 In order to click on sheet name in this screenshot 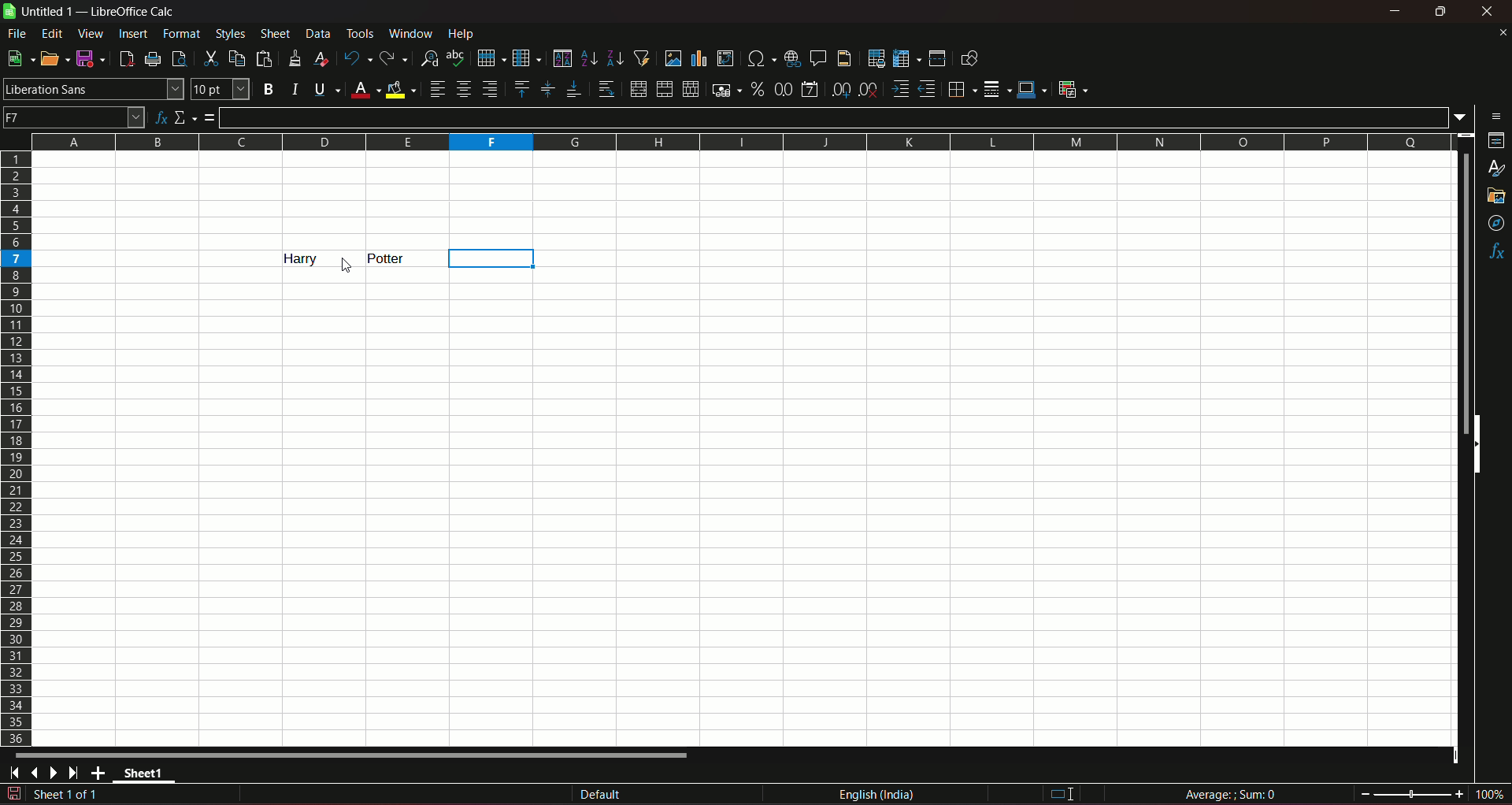, I will do `click(148, 776)`.